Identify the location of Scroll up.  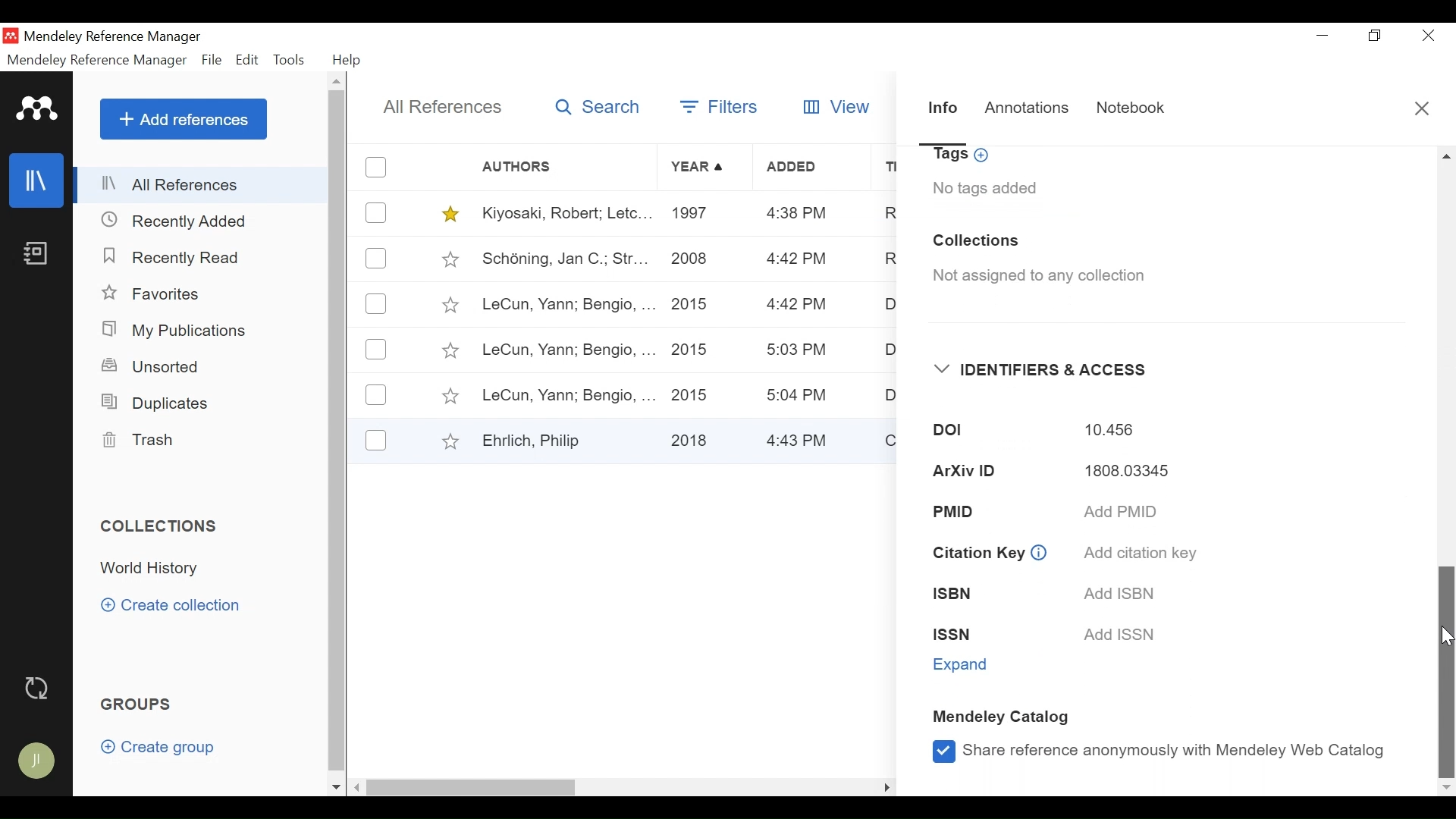
(337, 81).